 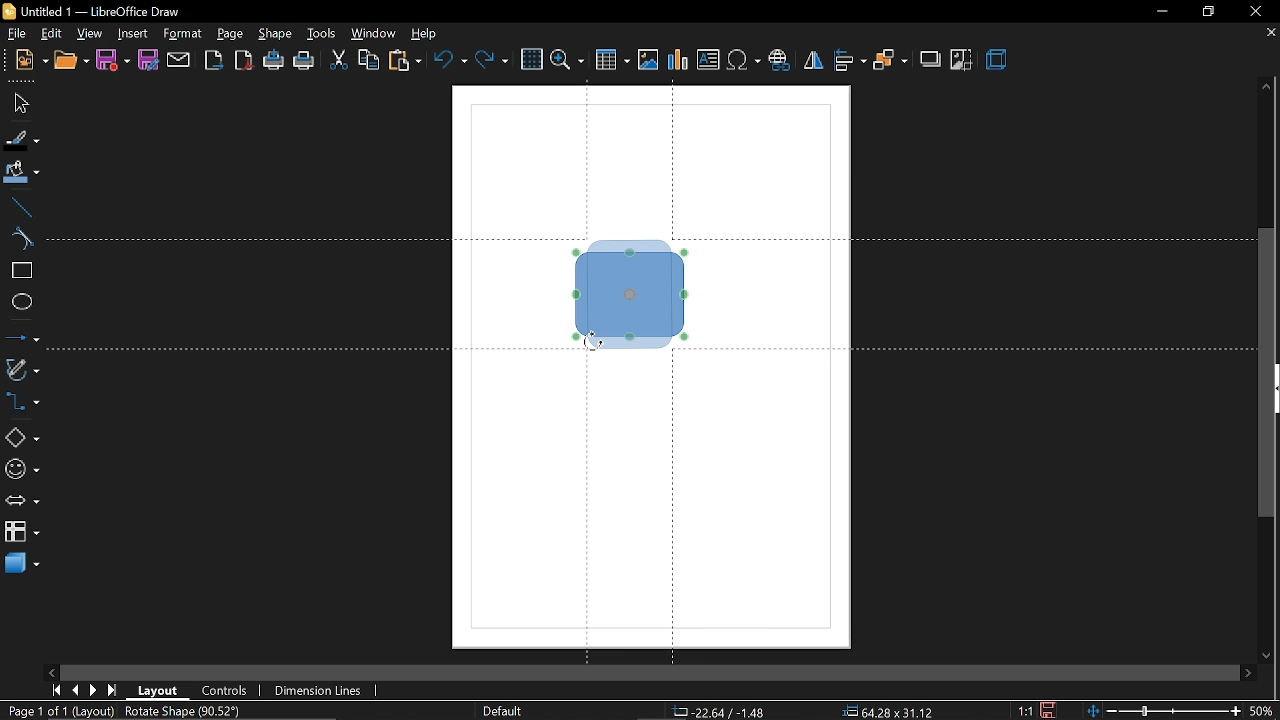 I want to click on fill line, so click(x=21, y=140).